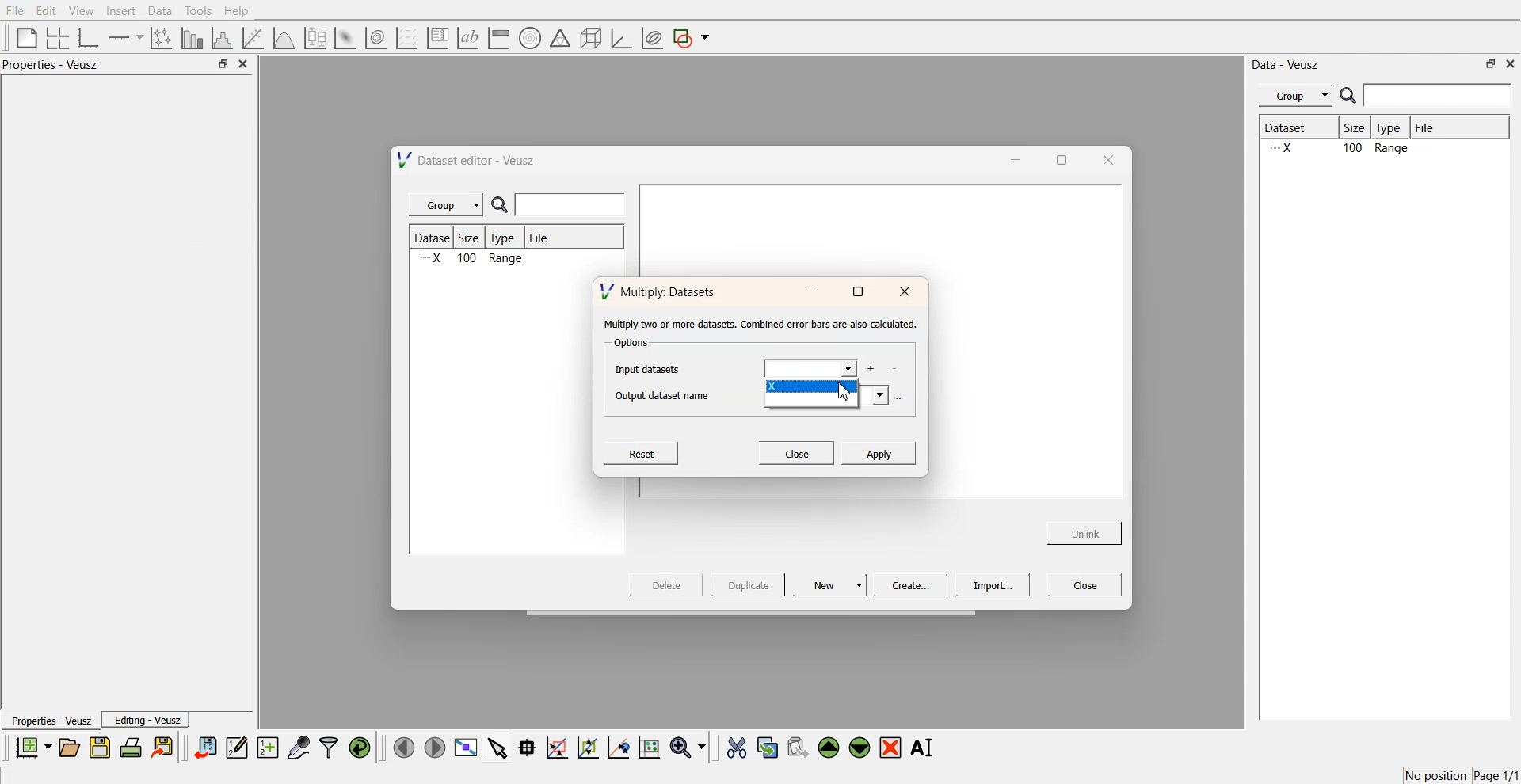 This screenshot has height=784, width=1521. I want to click on Dataset editor - Veusz, so click(468, 160).